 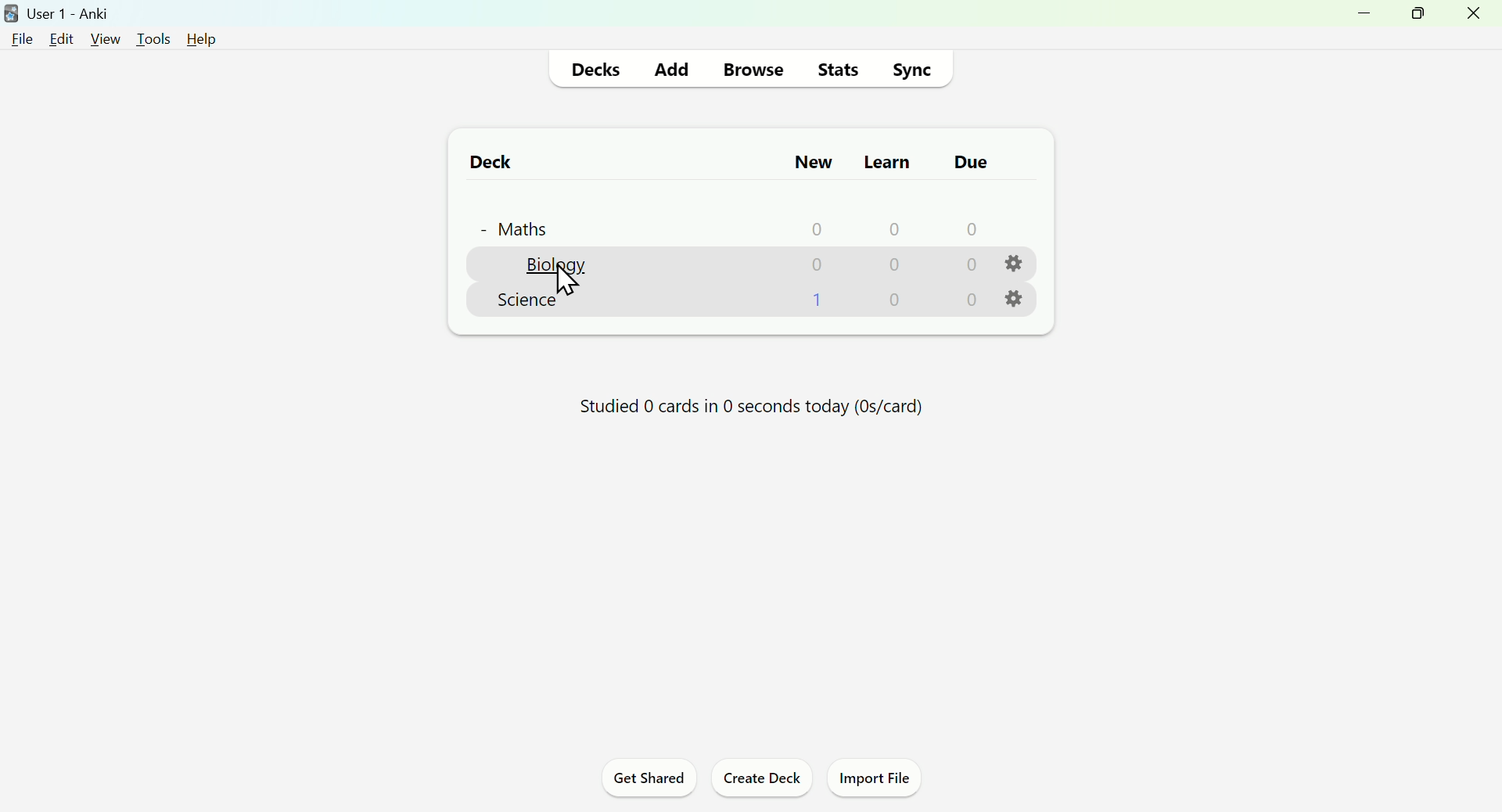 I want to click on Browse, so click(x=751, y=67).